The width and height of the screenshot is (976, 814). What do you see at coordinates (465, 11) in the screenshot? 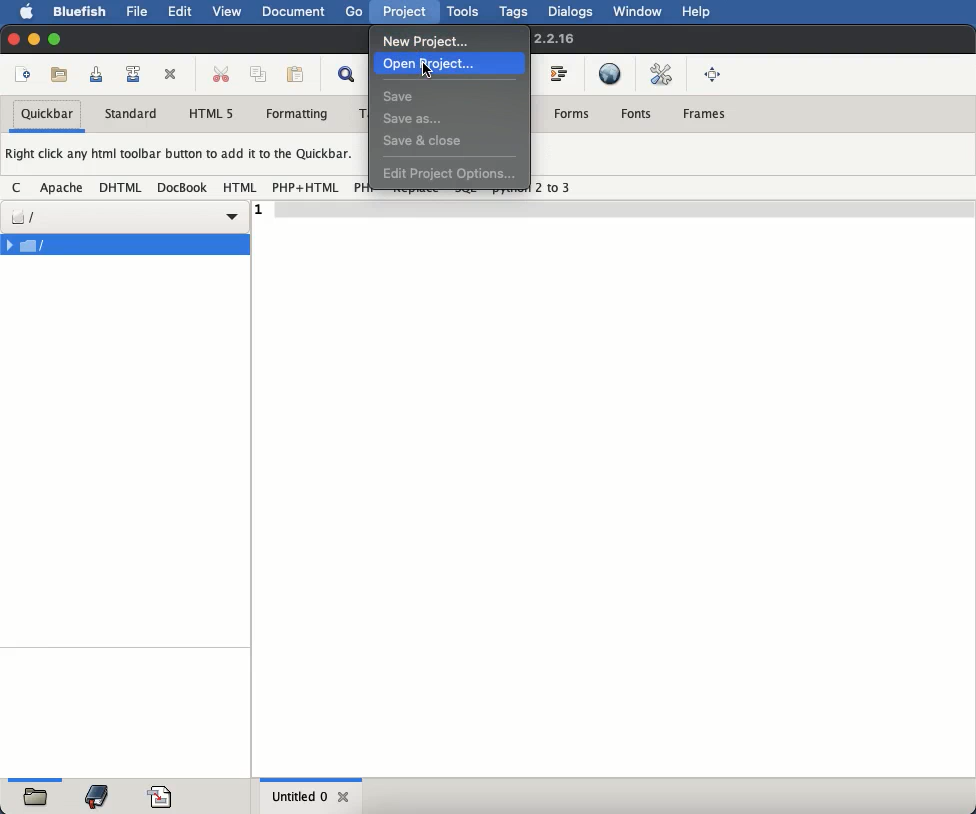
I see `tools` at bounding box center [465, 11].